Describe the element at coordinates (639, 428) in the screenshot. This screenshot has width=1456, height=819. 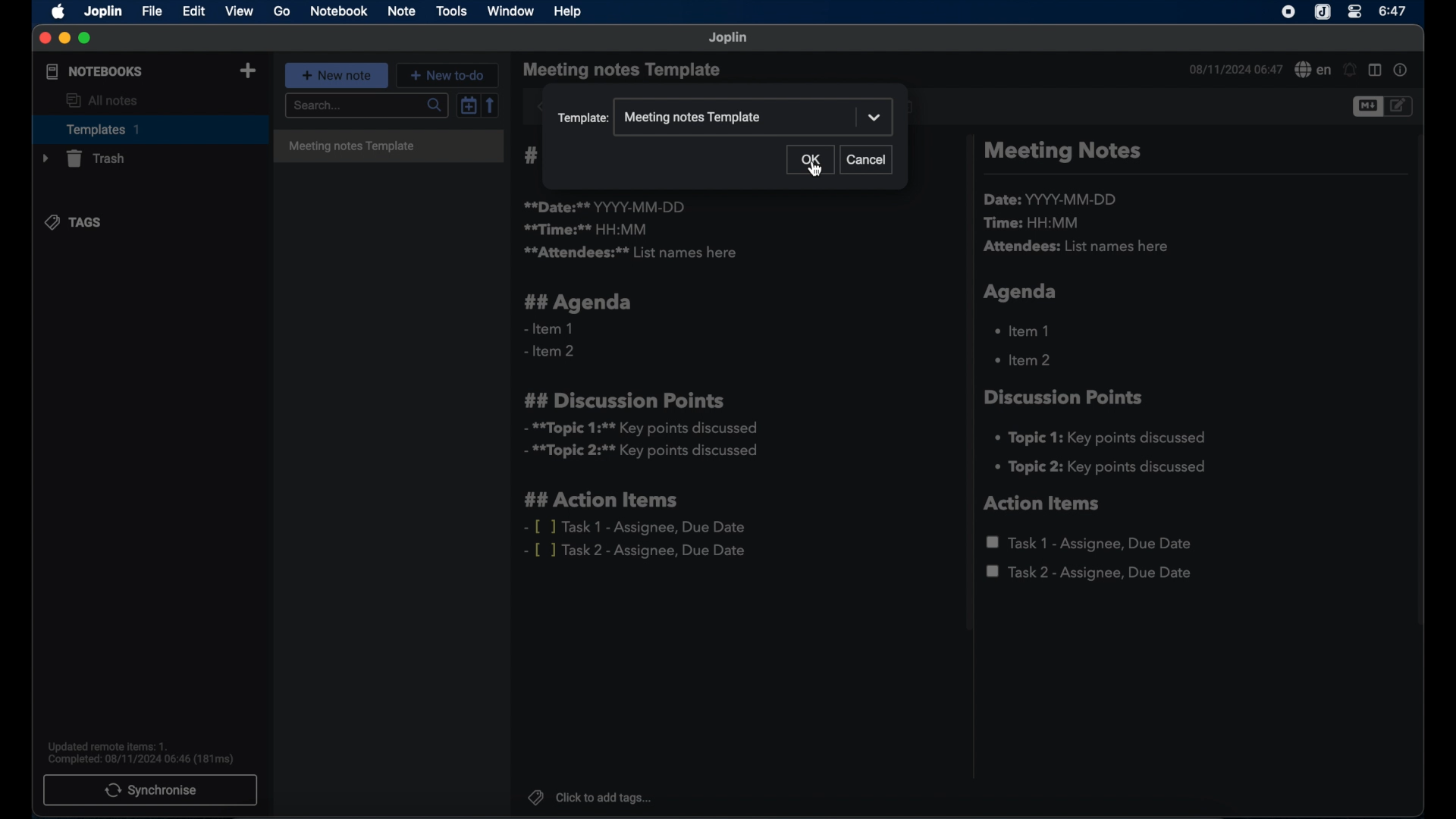
I see `**topic 1:** key points discussed` at that location.